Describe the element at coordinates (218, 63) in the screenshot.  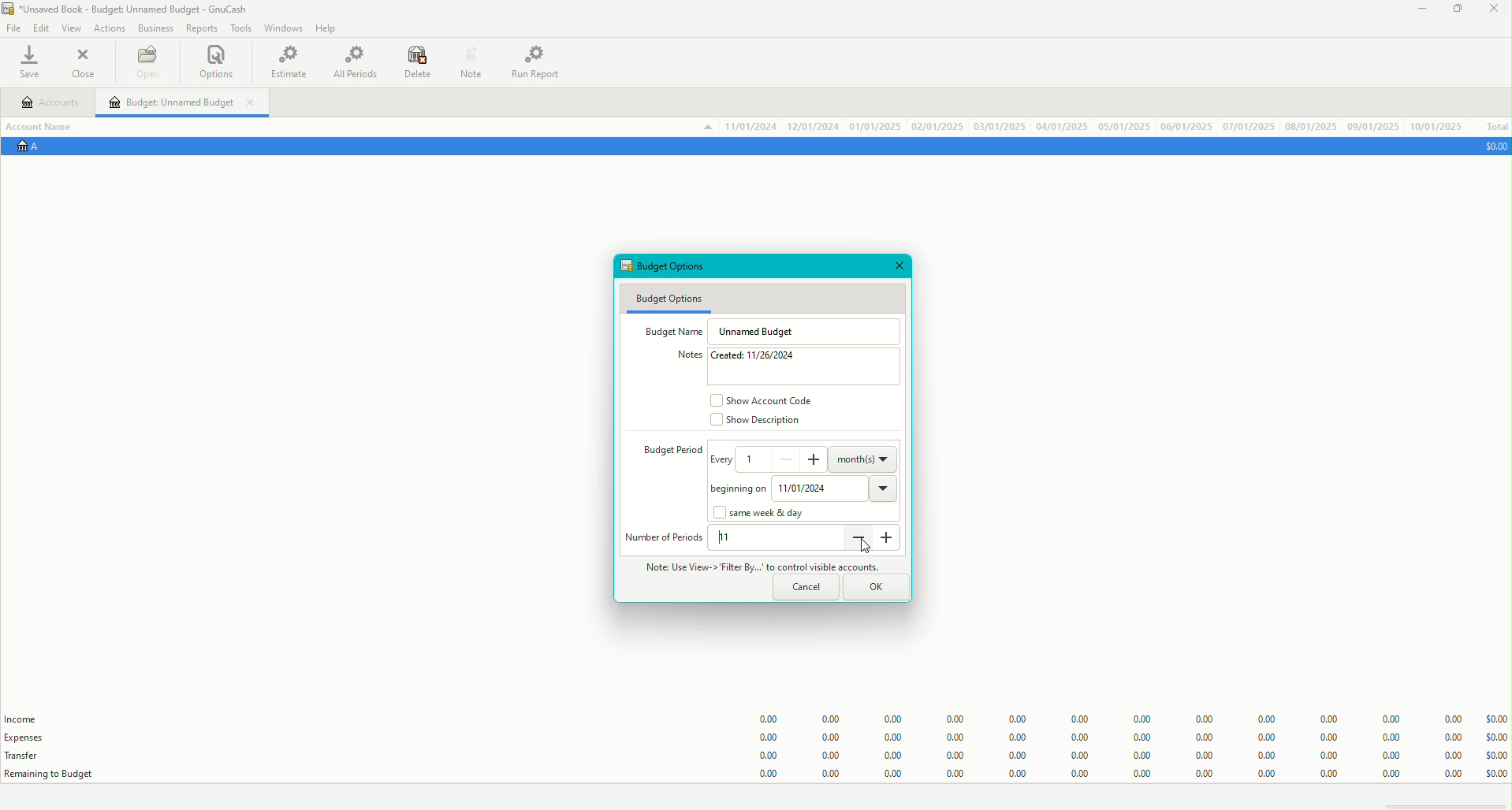
I see `Options` at that location.